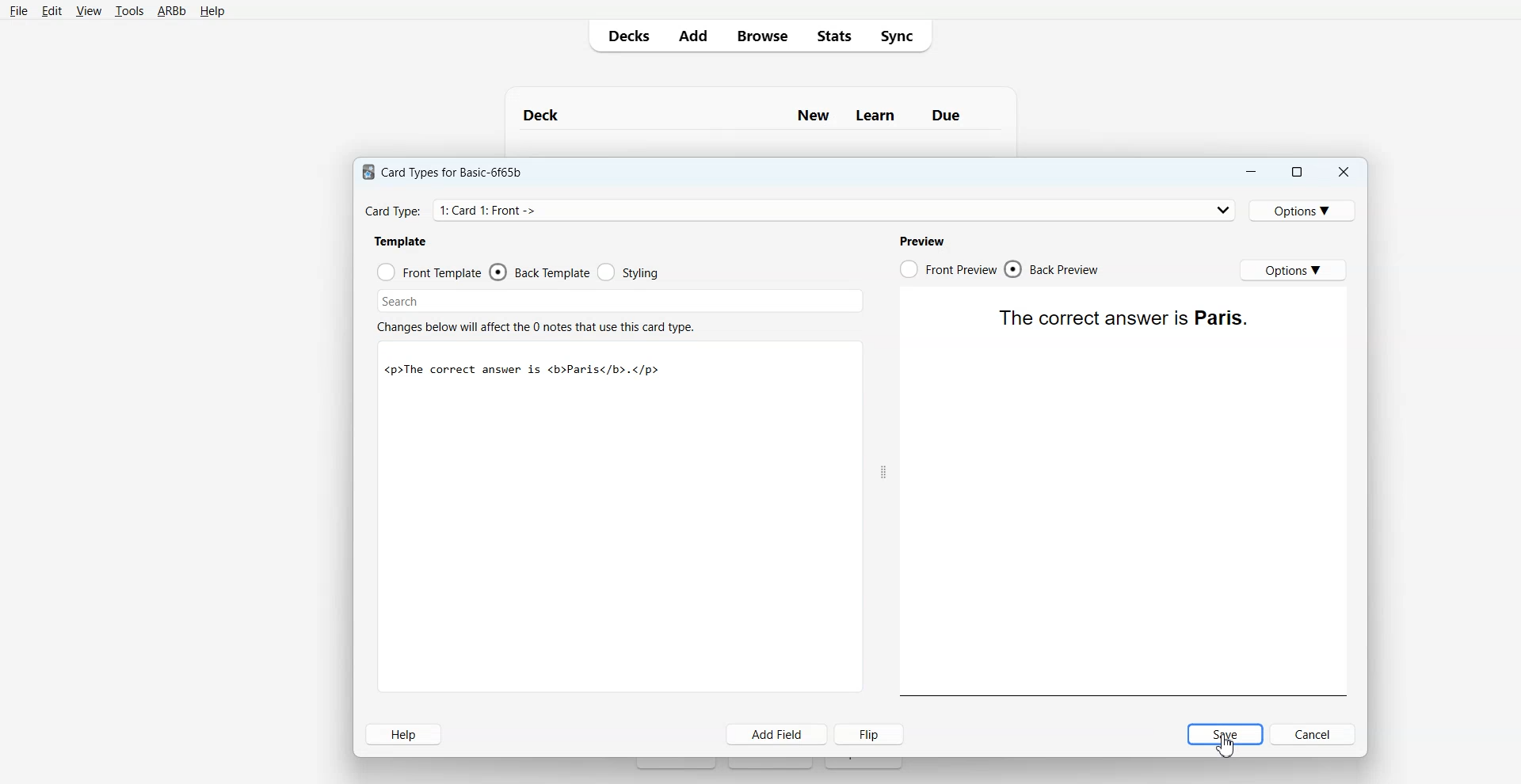 This screenshot has height=784, width=1521. What do you see at coordinates (87, 10) in the screenshot?
I see `View` at bounding box center [87, 10].